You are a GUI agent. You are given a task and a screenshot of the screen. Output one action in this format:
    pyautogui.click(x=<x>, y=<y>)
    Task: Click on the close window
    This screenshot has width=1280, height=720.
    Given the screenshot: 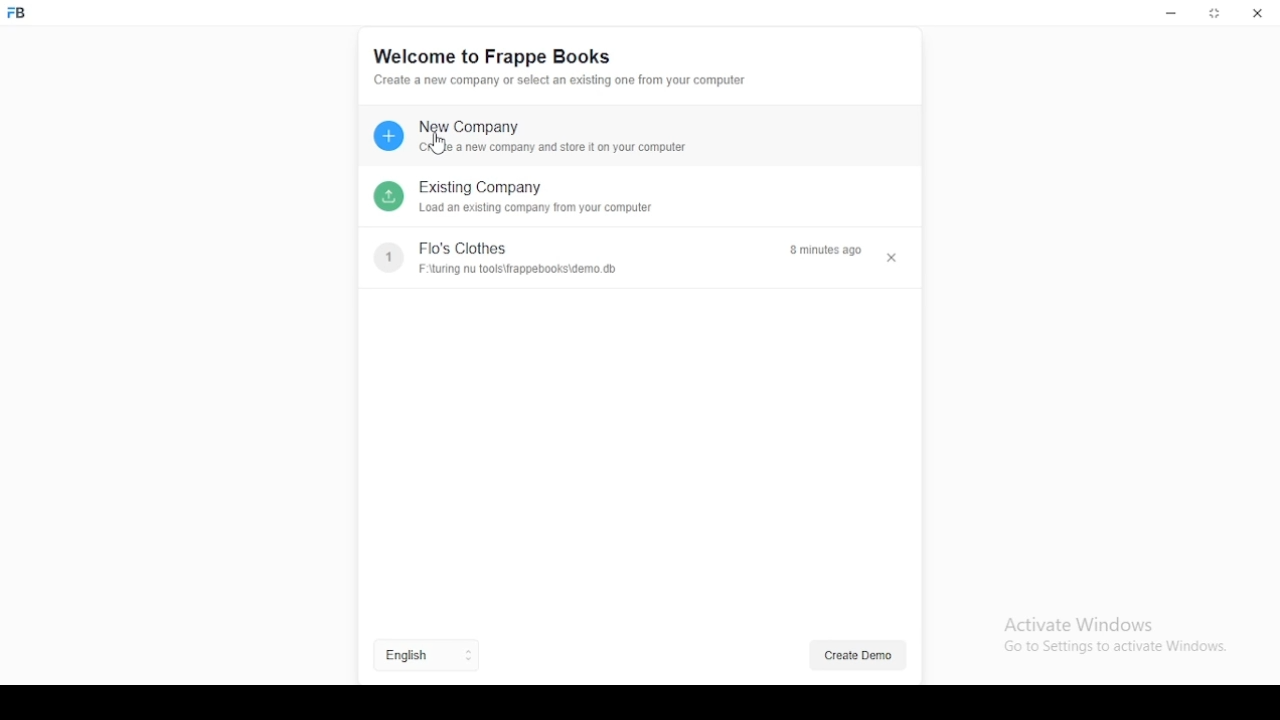 What is the action you would take?
    pyautogui.click(x=1259, y=12)
    